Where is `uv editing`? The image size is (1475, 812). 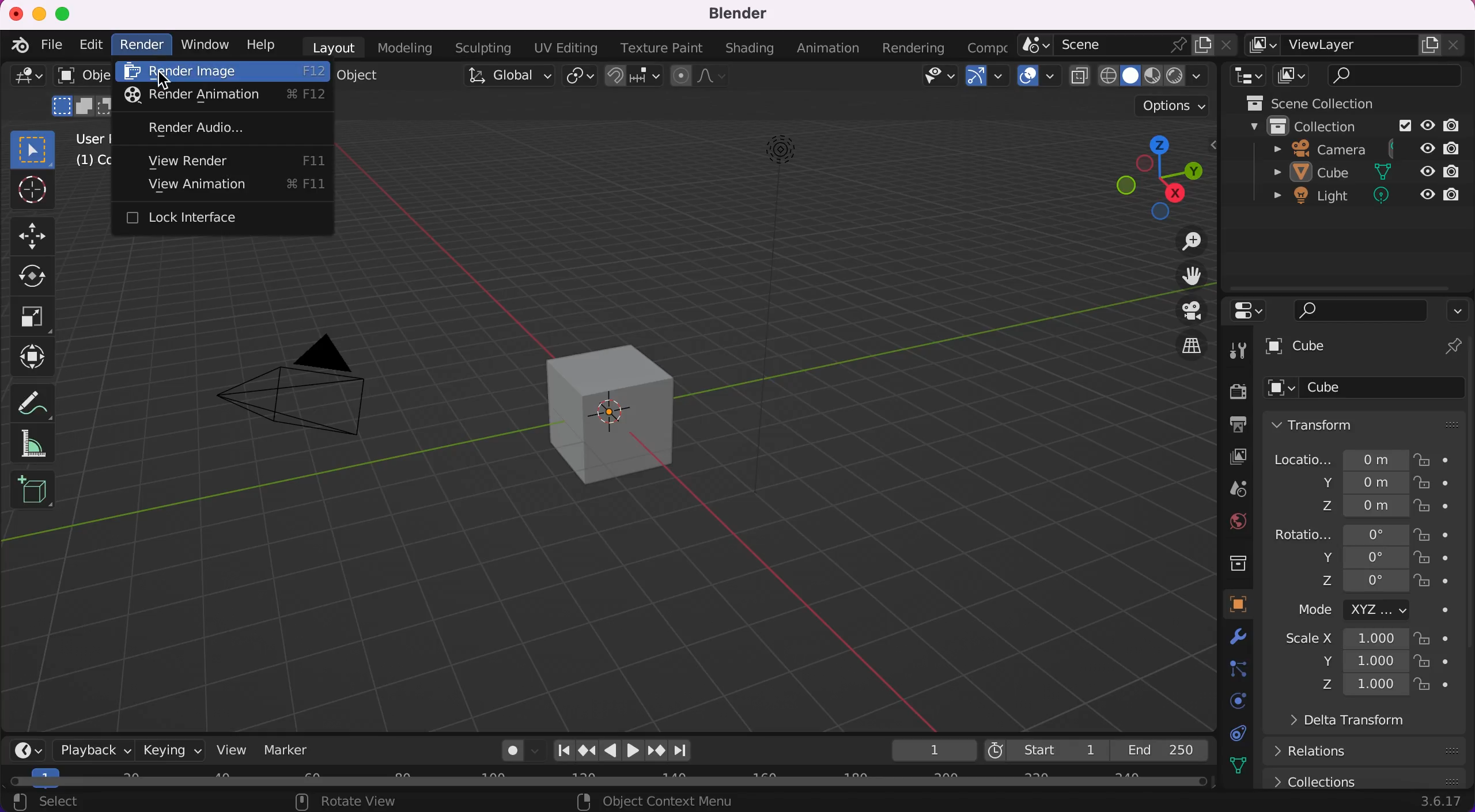 uv editing is located at coordinates (566, 49).